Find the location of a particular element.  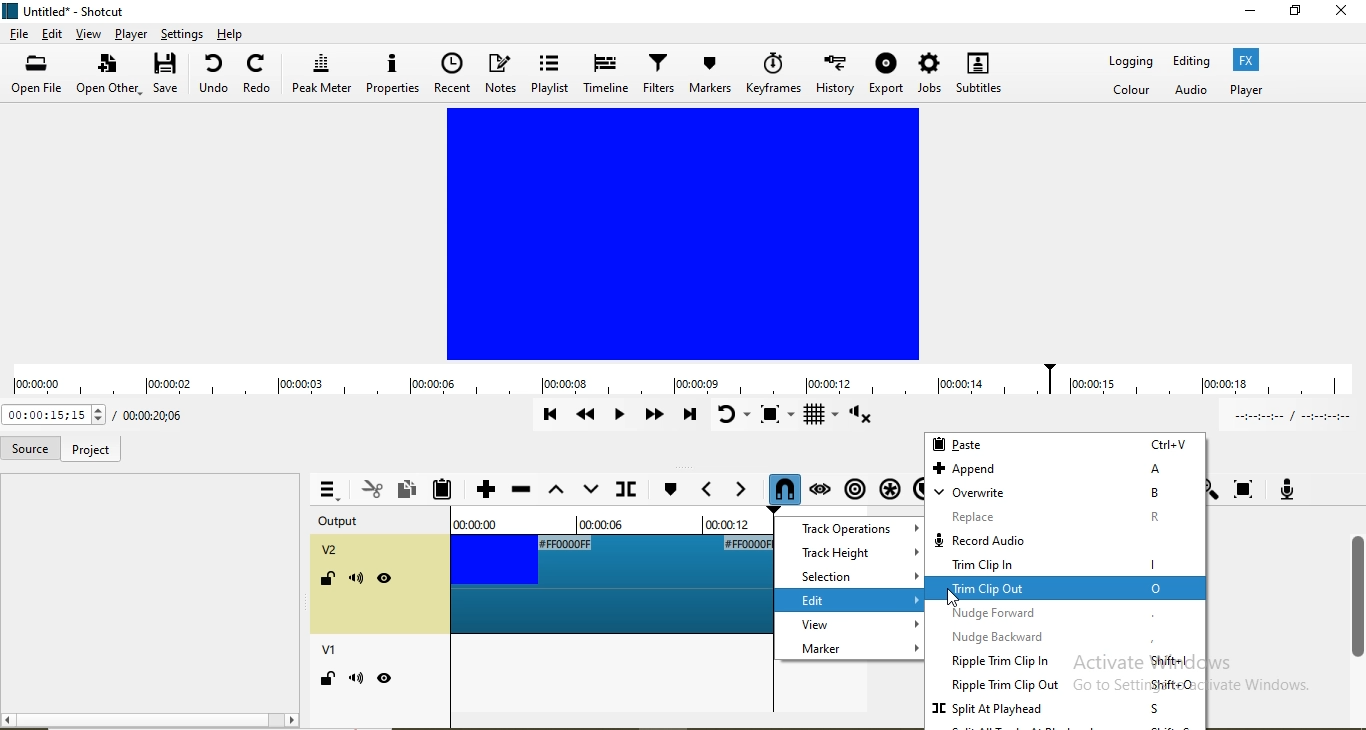

open other is located at coordinates (111, 76).